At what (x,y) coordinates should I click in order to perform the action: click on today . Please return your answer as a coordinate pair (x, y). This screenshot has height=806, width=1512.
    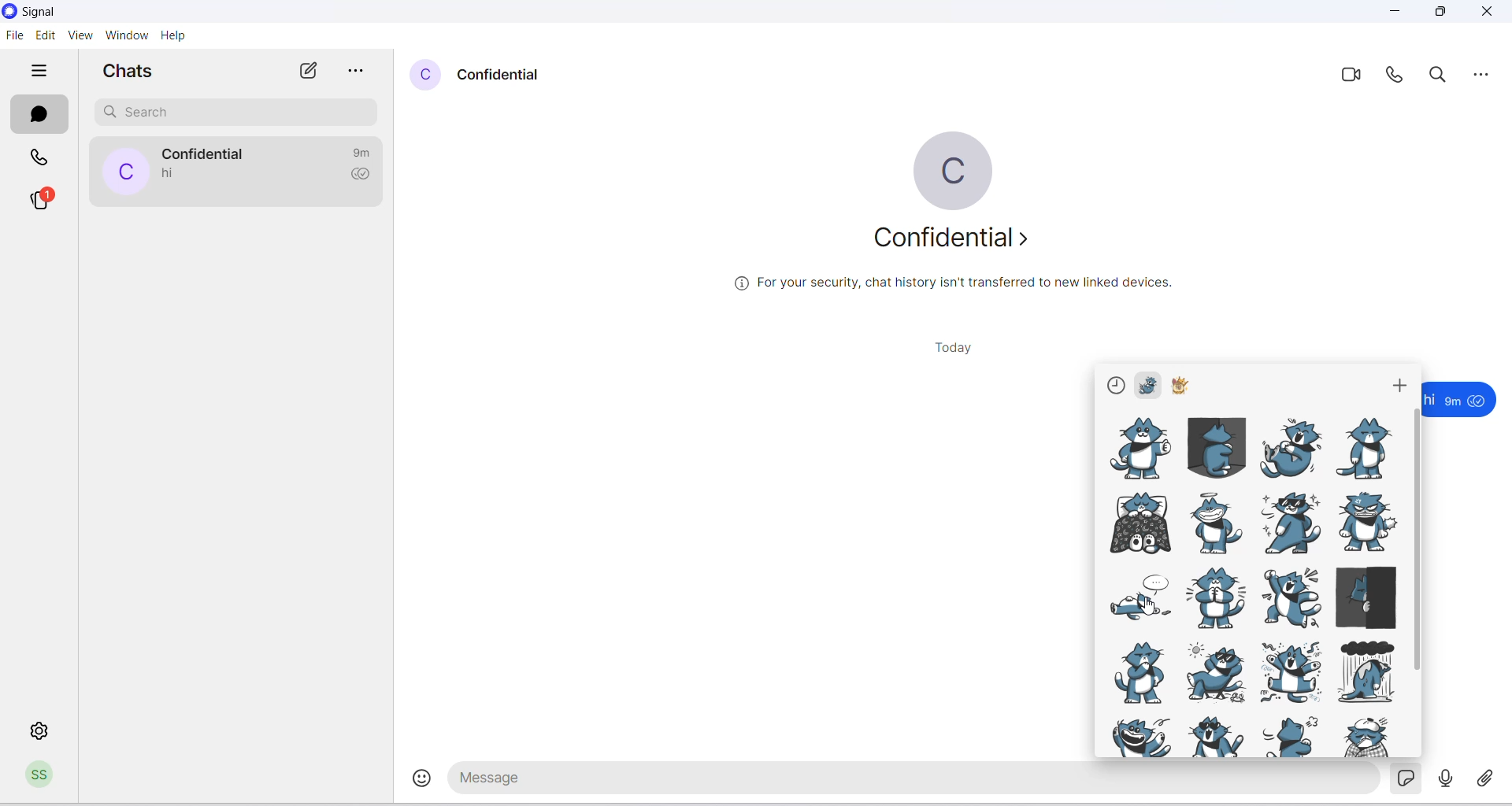
    Looking at the image, I should click on (950, 348).